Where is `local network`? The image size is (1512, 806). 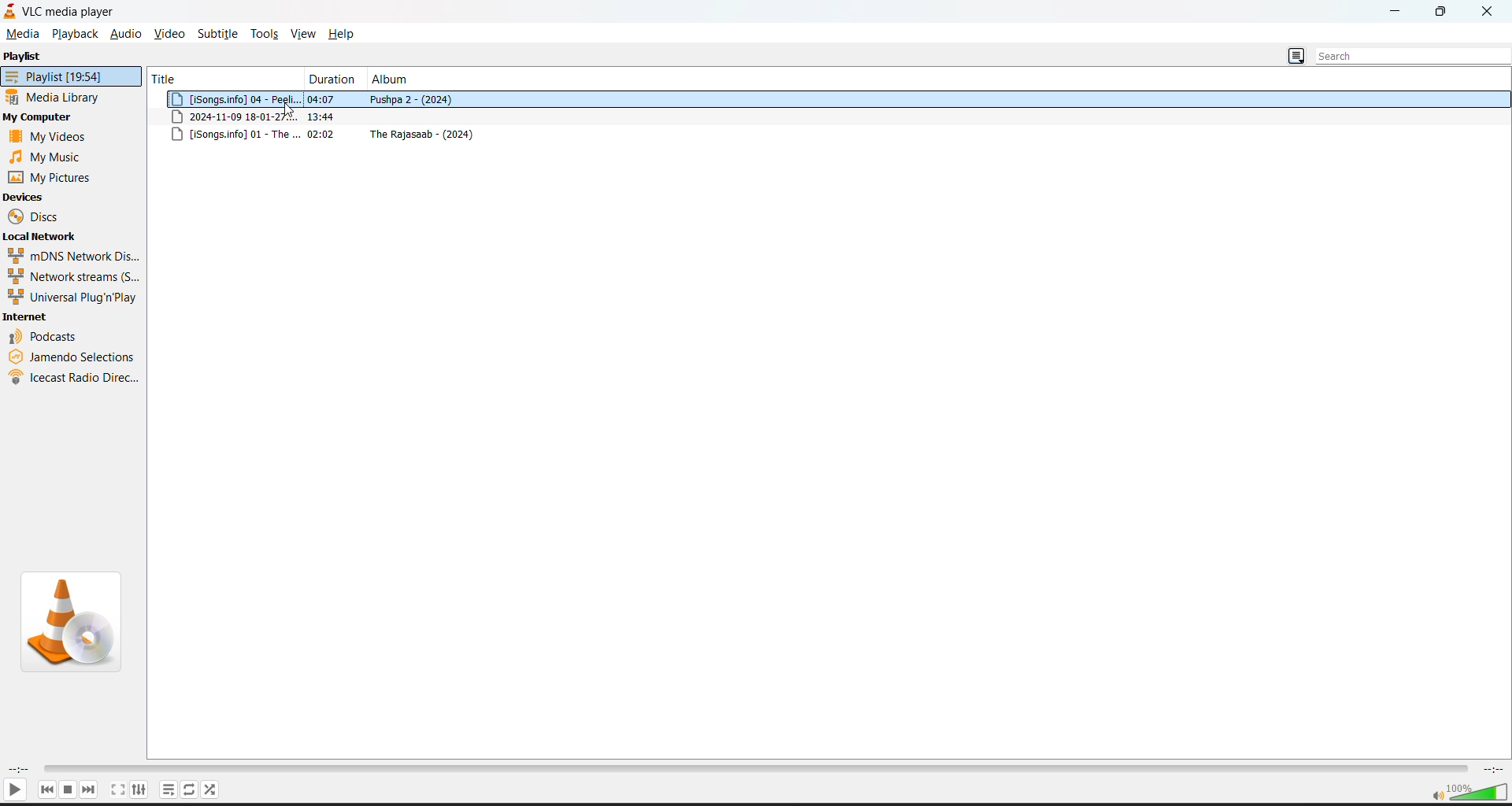
local network is located at coordinates (44, 237).